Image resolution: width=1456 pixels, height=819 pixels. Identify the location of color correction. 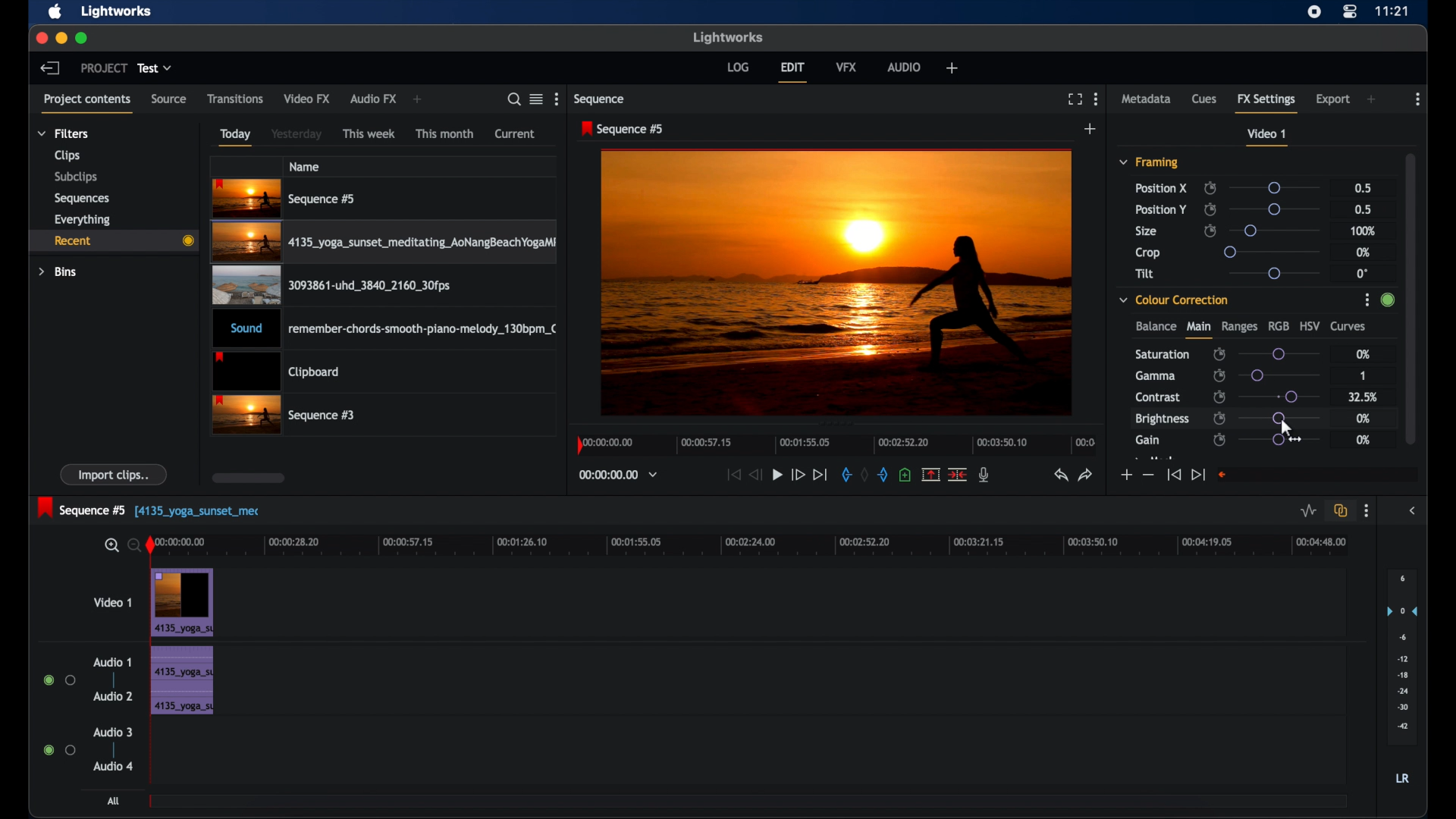
(1174, 300).